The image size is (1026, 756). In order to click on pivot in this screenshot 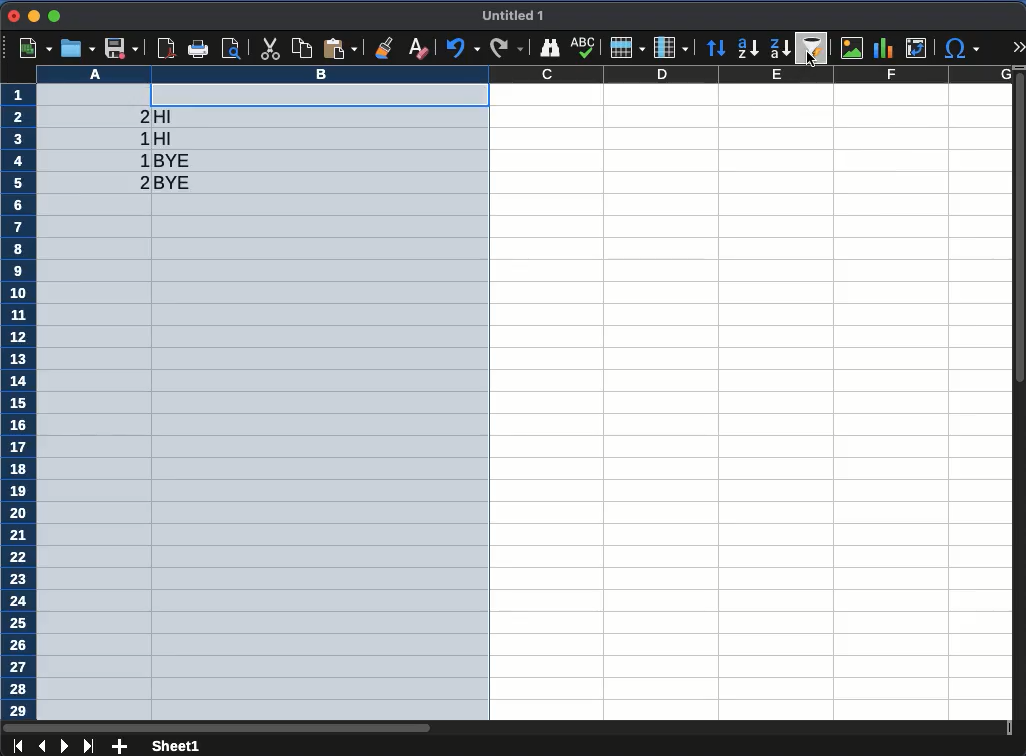, I will do `click(915, 48)`.